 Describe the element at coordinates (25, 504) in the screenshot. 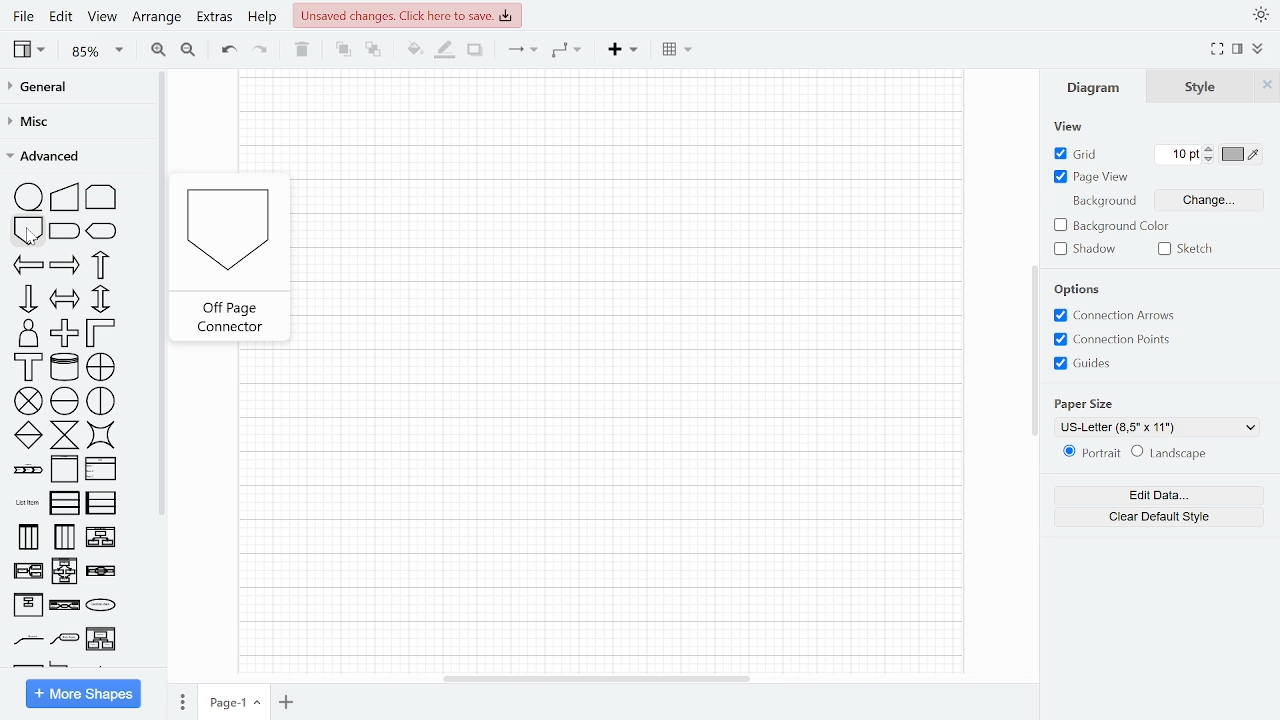

I see `list item` at that location.